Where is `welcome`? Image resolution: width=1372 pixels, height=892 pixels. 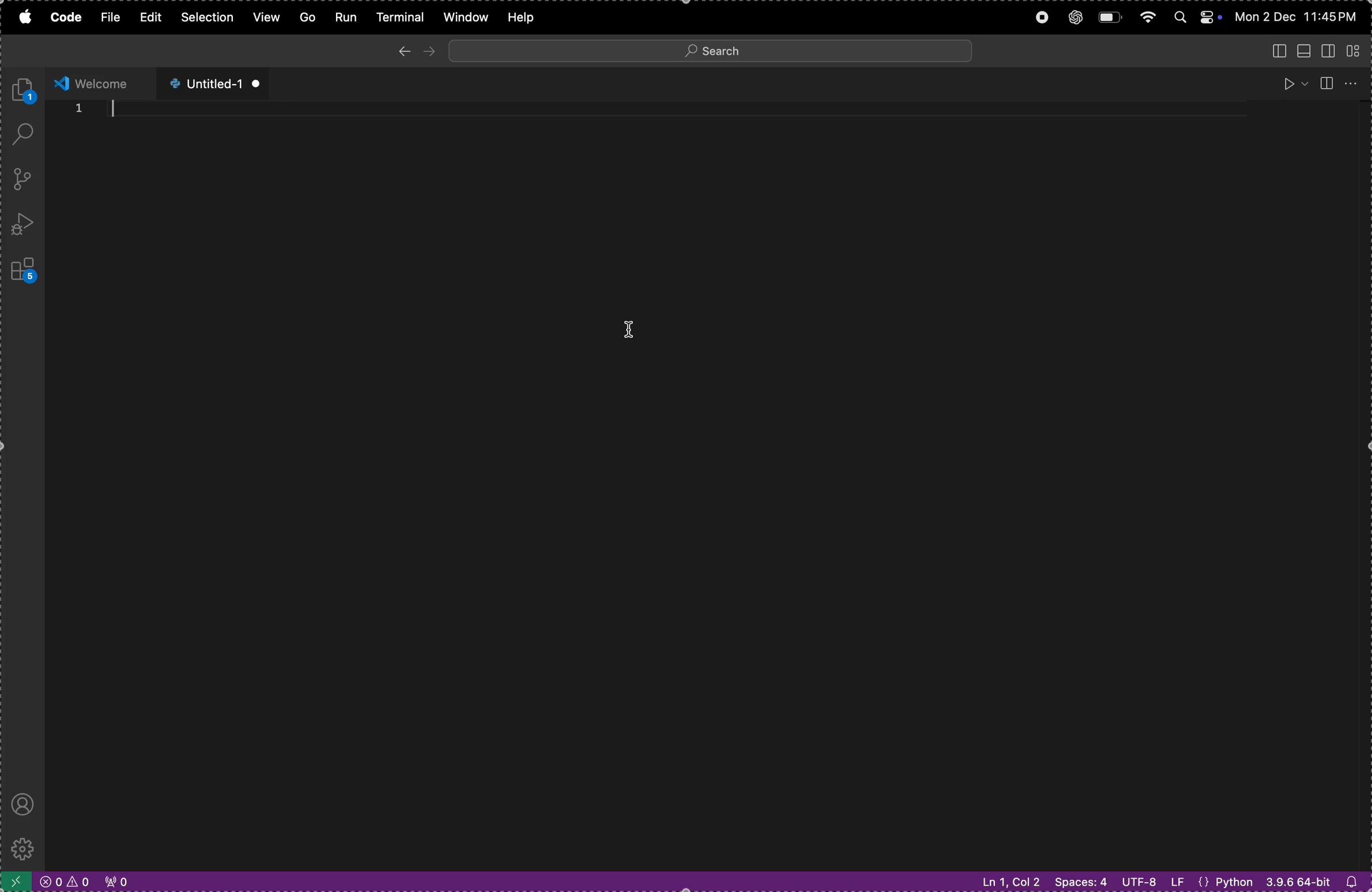
welcome is located at coordinates (99, 82).